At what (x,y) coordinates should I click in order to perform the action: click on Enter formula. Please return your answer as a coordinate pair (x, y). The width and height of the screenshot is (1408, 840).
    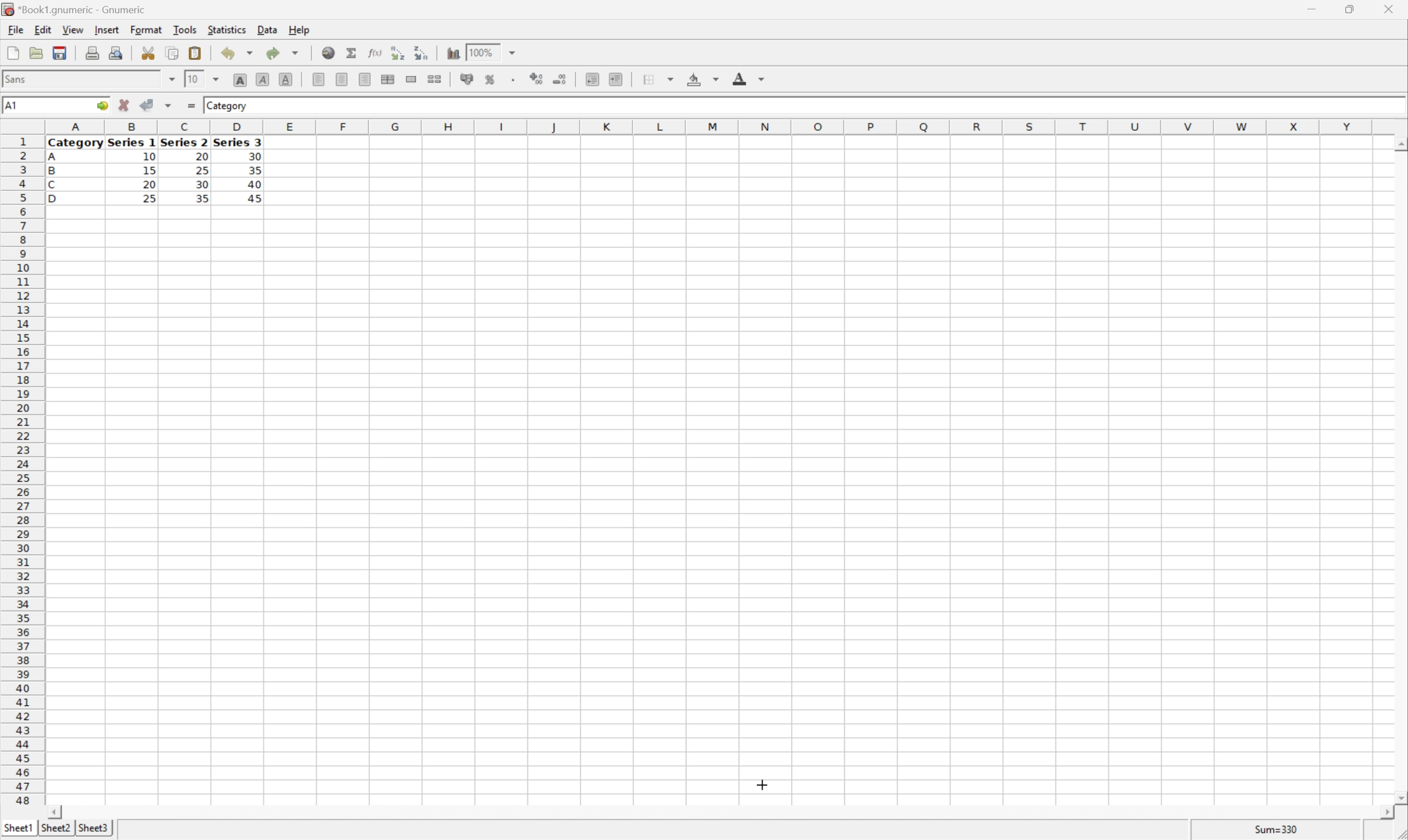
    Looking at the image, I should click on (193, 104).